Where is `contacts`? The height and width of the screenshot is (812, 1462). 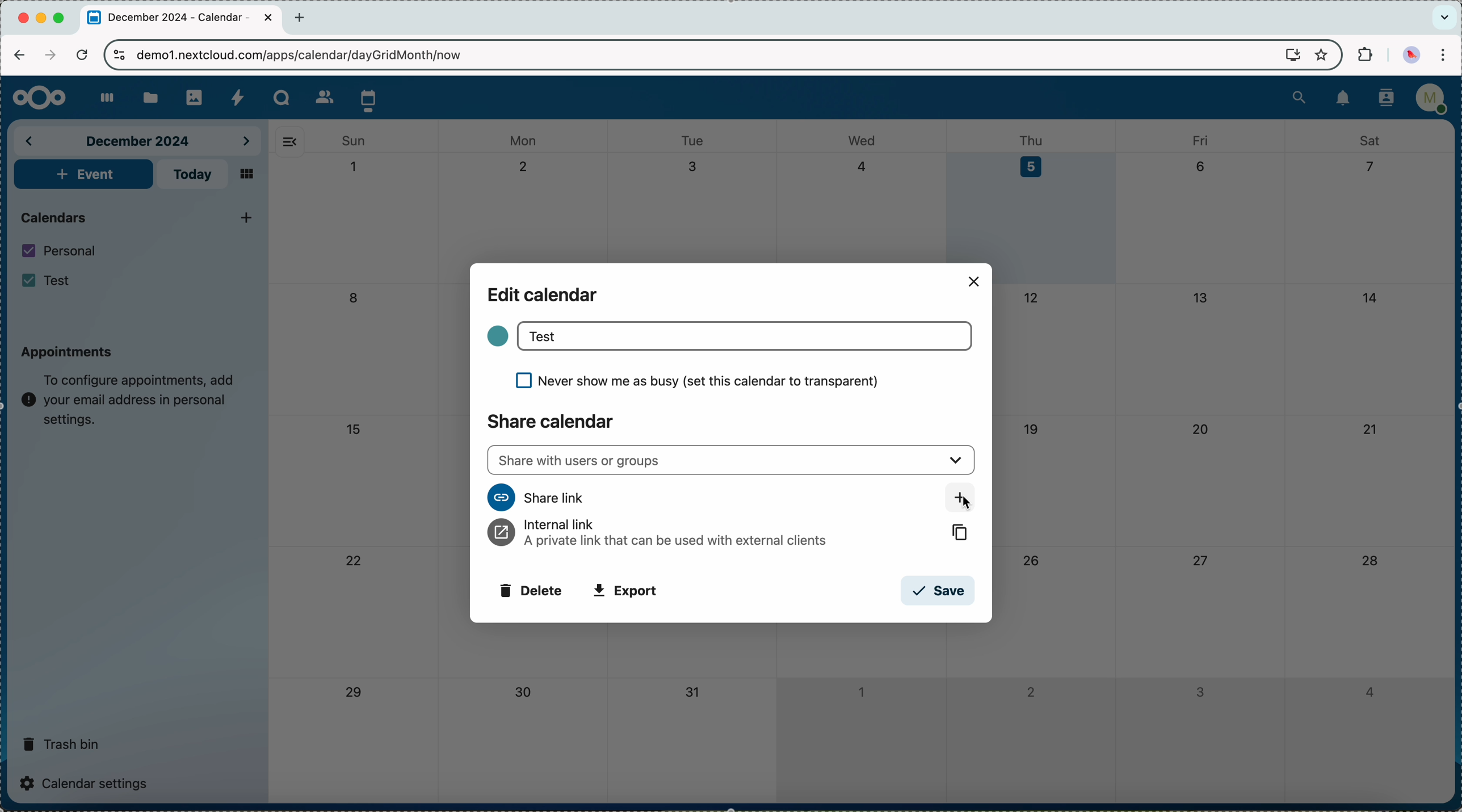
contacts is located at coordinates (321, 96).